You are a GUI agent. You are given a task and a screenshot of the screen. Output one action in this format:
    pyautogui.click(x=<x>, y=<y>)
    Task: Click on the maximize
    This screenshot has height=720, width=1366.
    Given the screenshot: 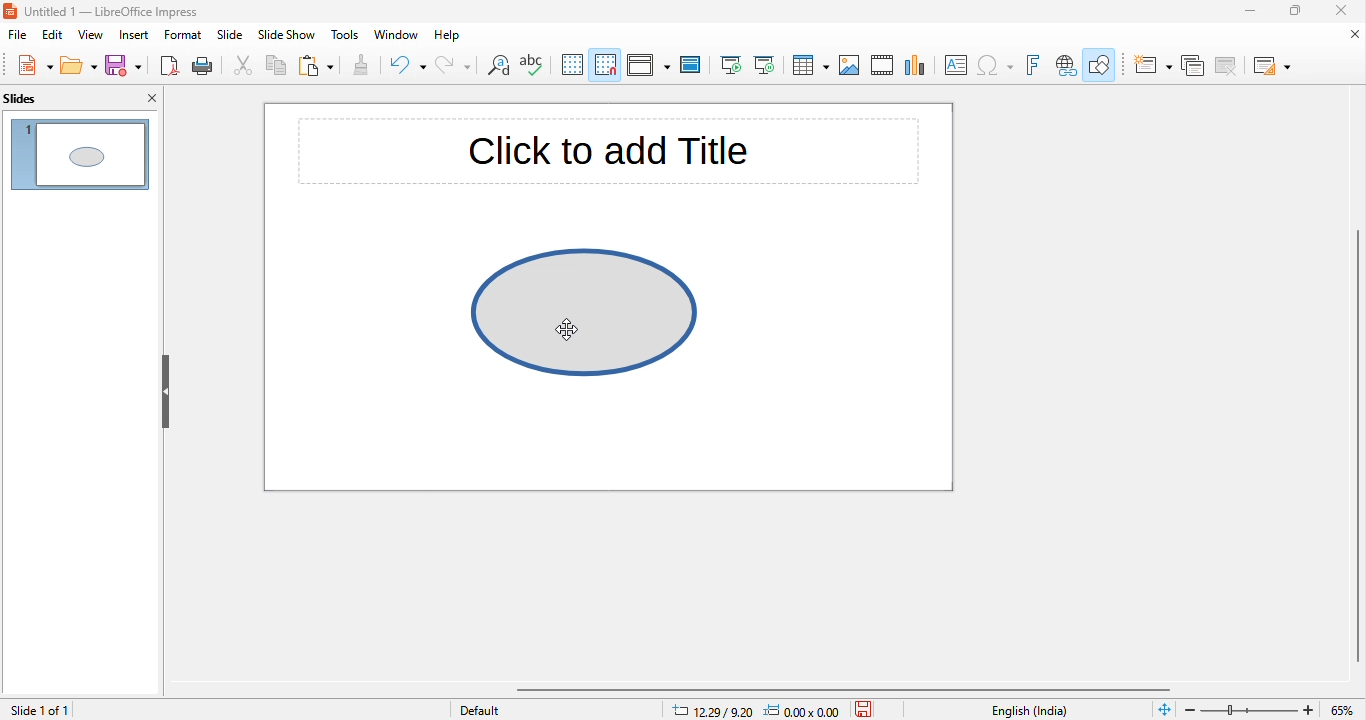 What is the action you would take?
    pyautogui.click(x=1293, y=13)
    